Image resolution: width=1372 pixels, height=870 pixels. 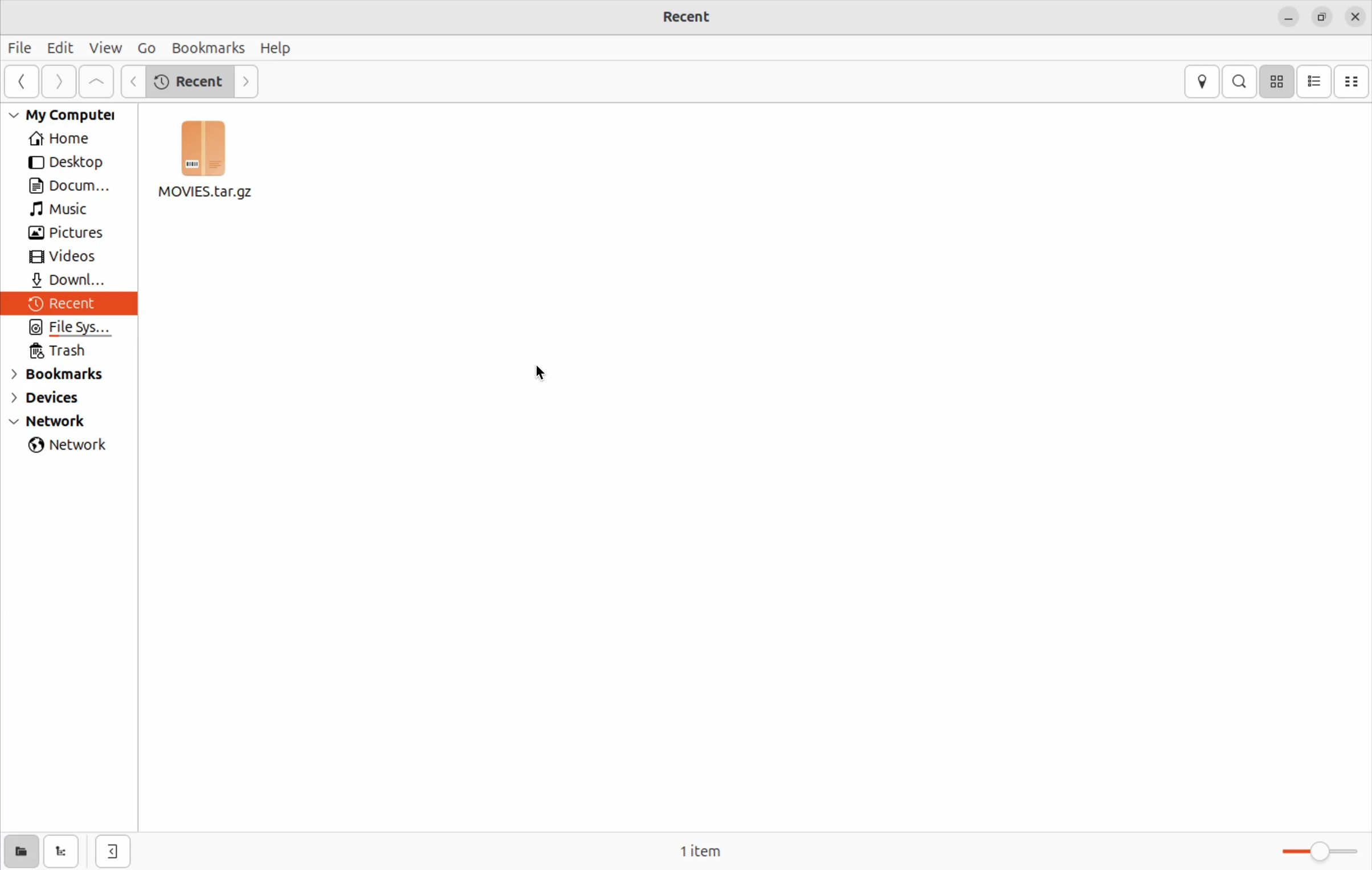 I want to click on cursor, so click(x=539, y=373).